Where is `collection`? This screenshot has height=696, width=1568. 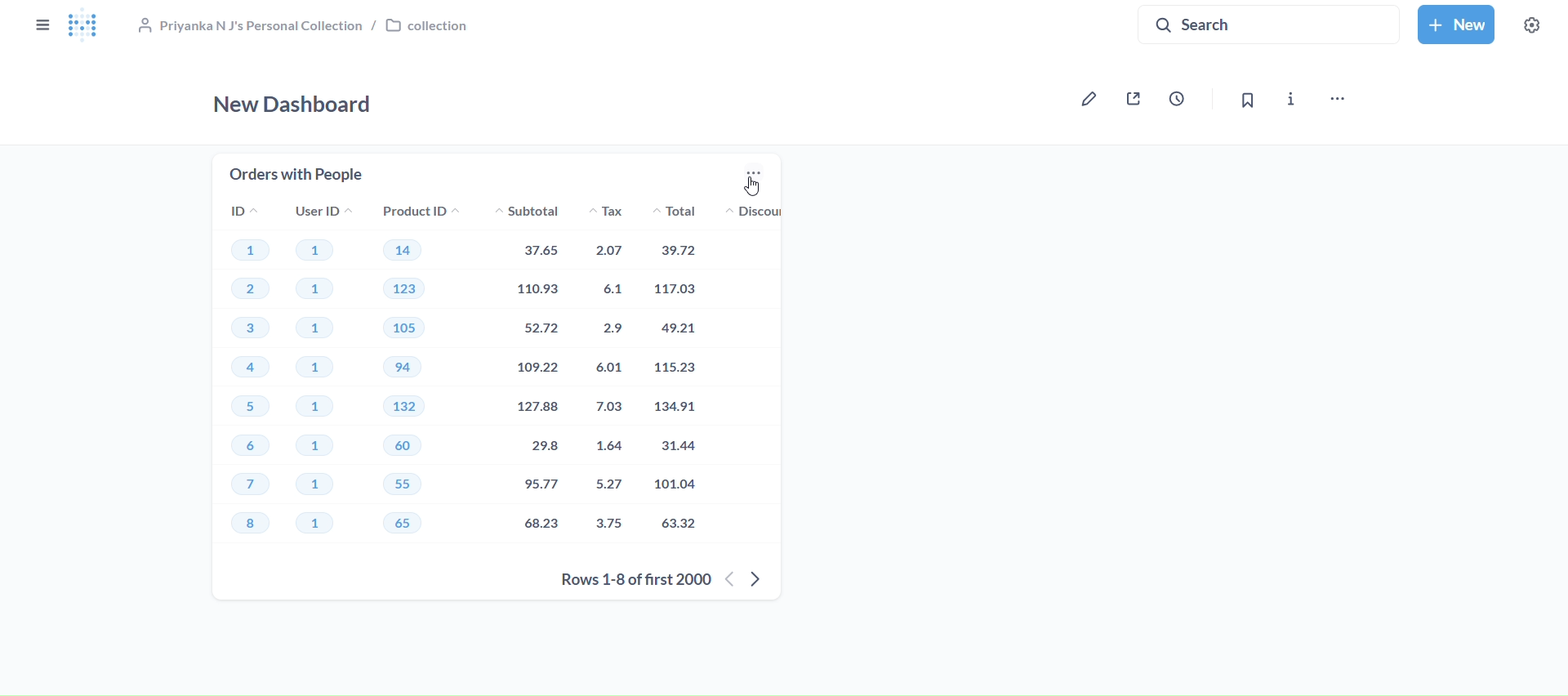 collection is located at coordinates (316, 28).